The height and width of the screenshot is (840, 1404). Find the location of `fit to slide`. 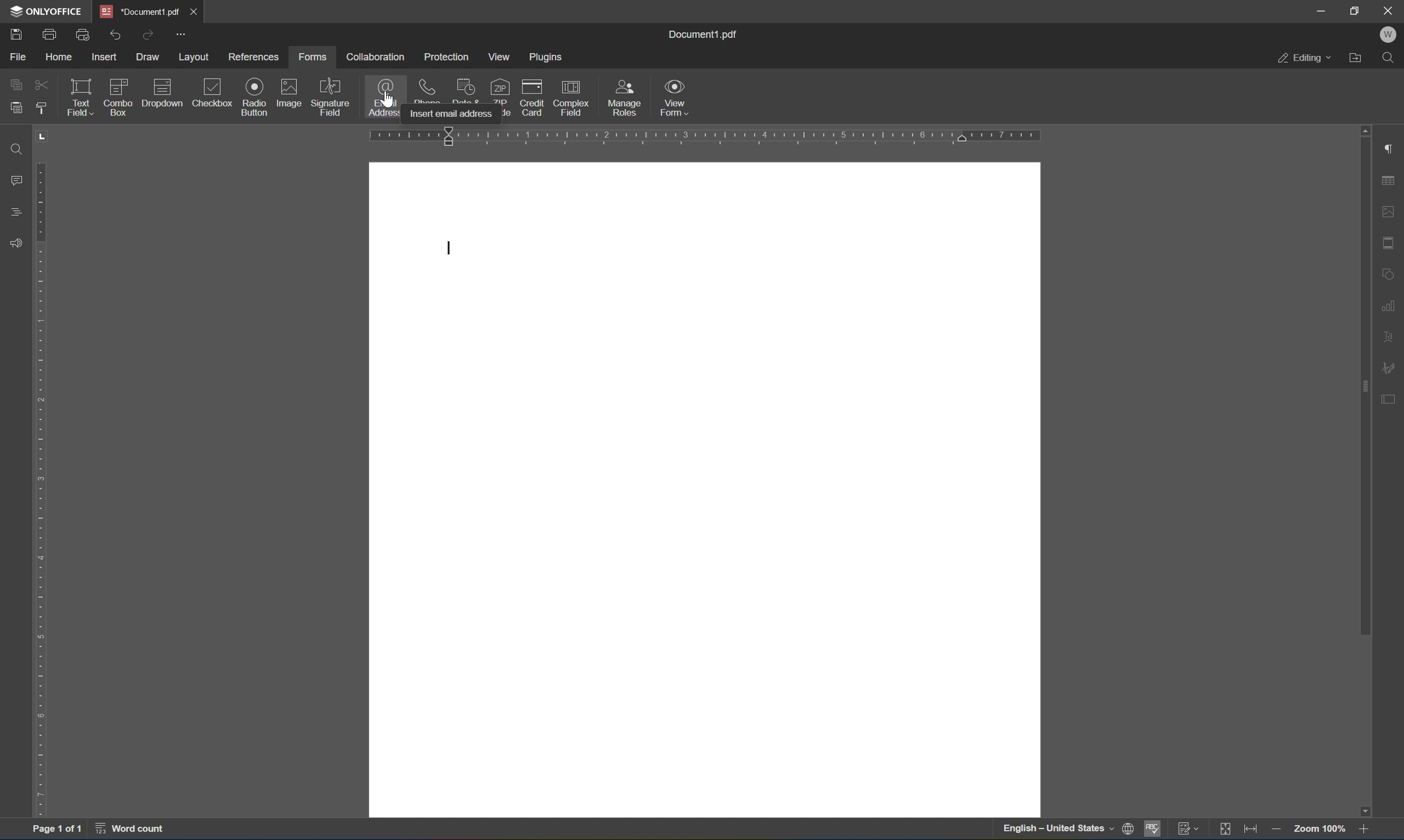

fit to slide is located at coordinates (1224, 828).